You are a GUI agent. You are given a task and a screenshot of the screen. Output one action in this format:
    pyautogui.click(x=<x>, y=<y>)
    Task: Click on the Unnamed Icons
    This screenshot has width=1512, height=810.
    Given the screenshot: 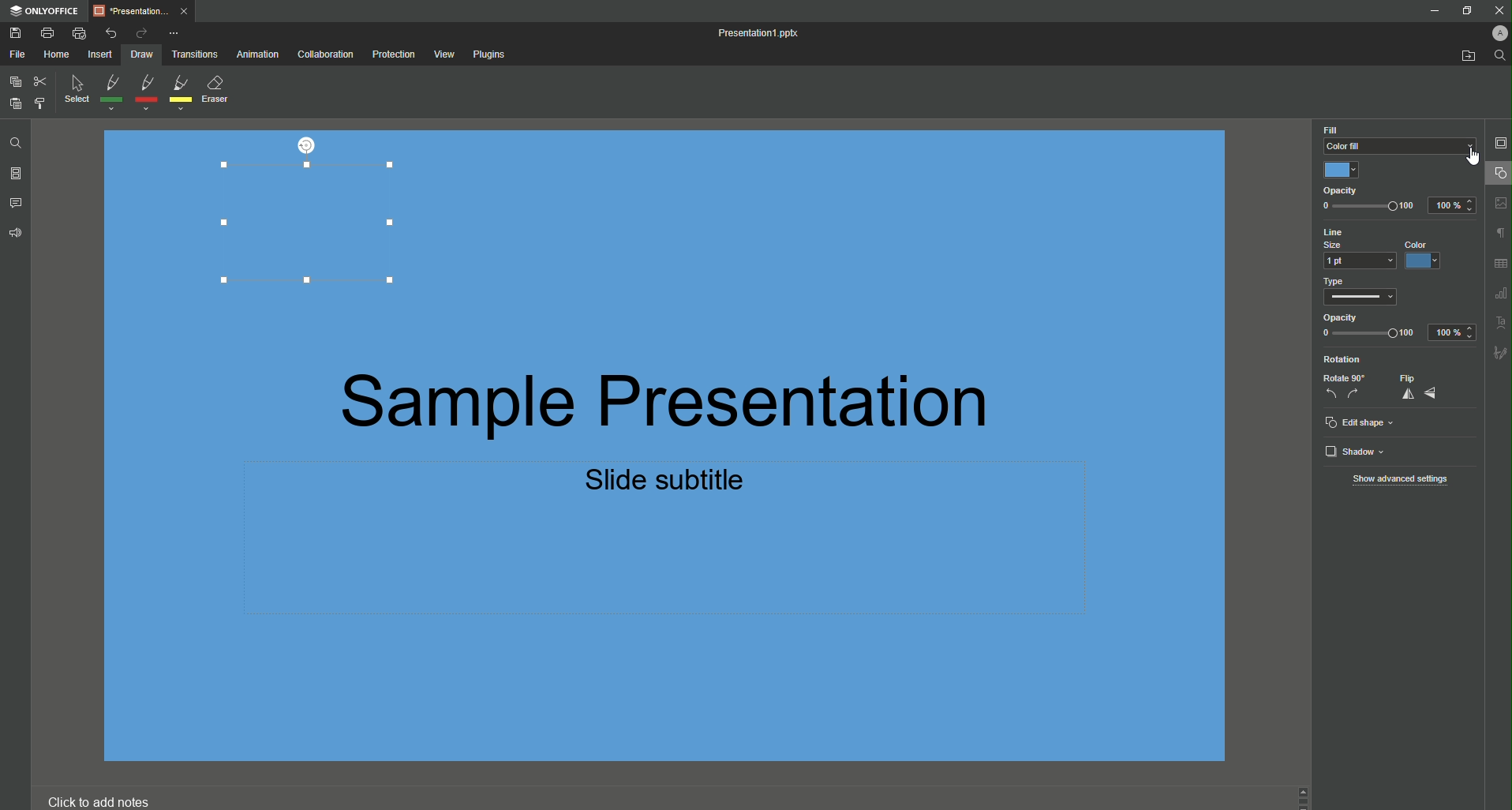 What is the action you would take?
    pyautogui.click(x=1496, y=277)
    